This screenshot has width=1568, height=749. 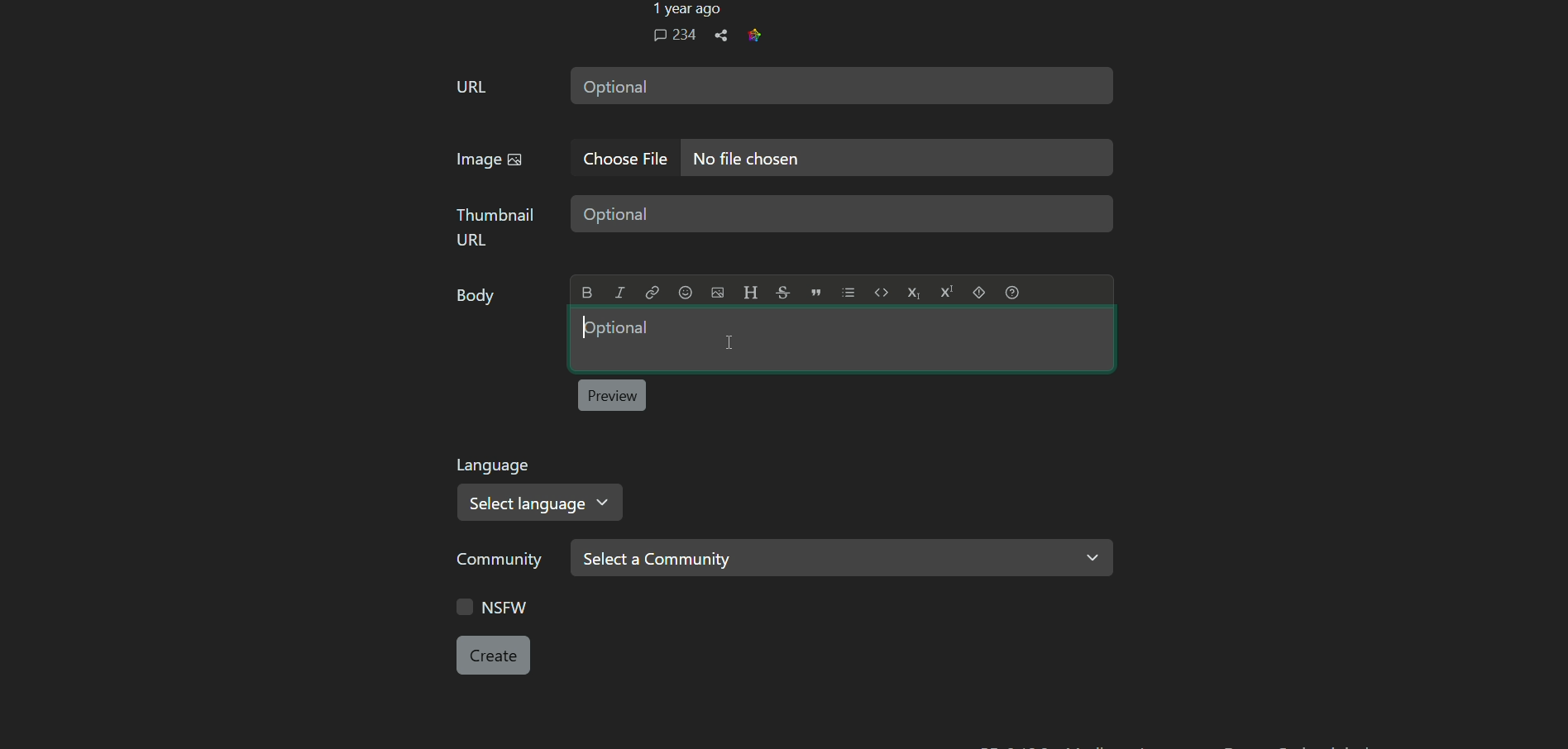 I want to click on Share, so click(x=721, y=36).